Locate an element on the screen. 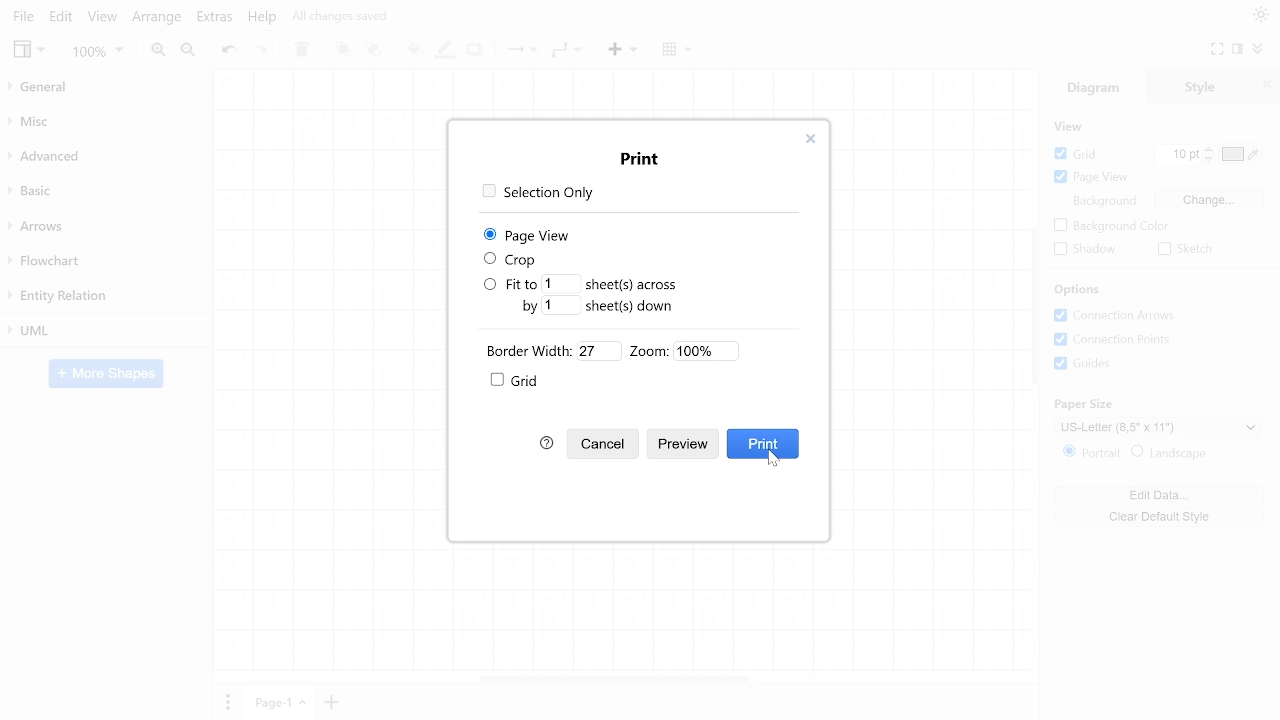  Table is located at coordinates (680, 50).